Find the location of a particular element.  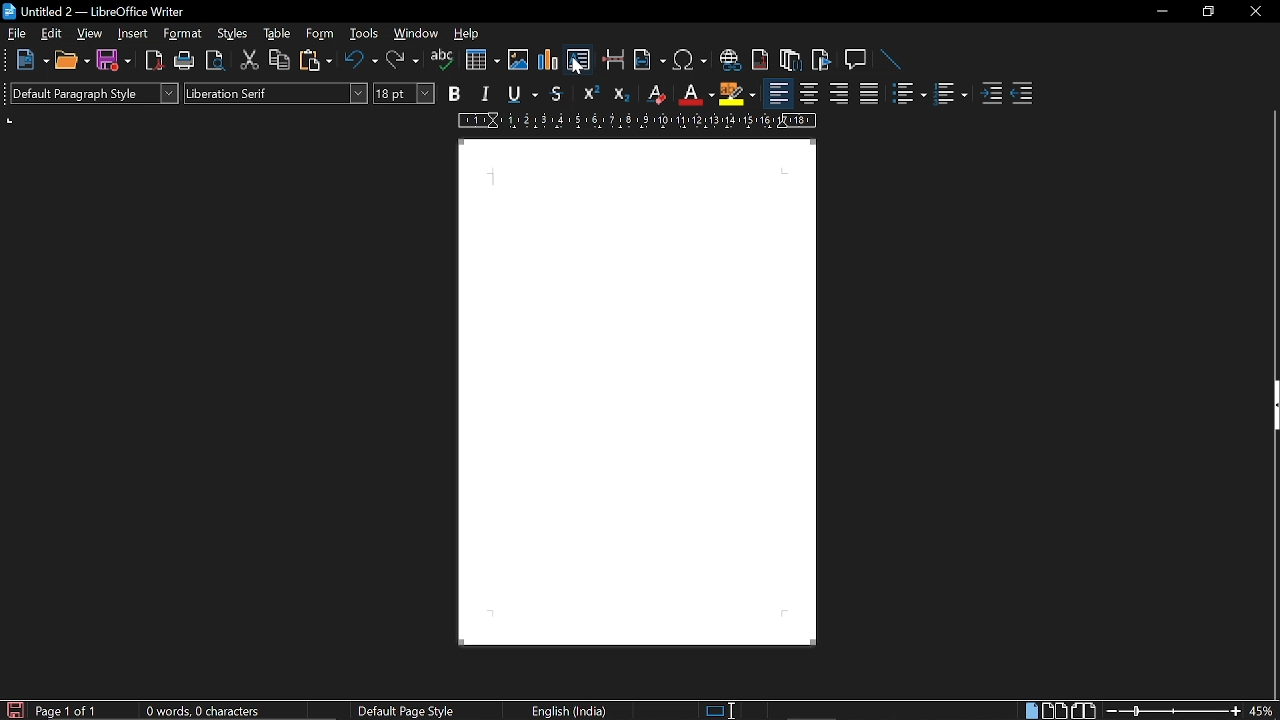

spell check is located at coordinates (441, 62).